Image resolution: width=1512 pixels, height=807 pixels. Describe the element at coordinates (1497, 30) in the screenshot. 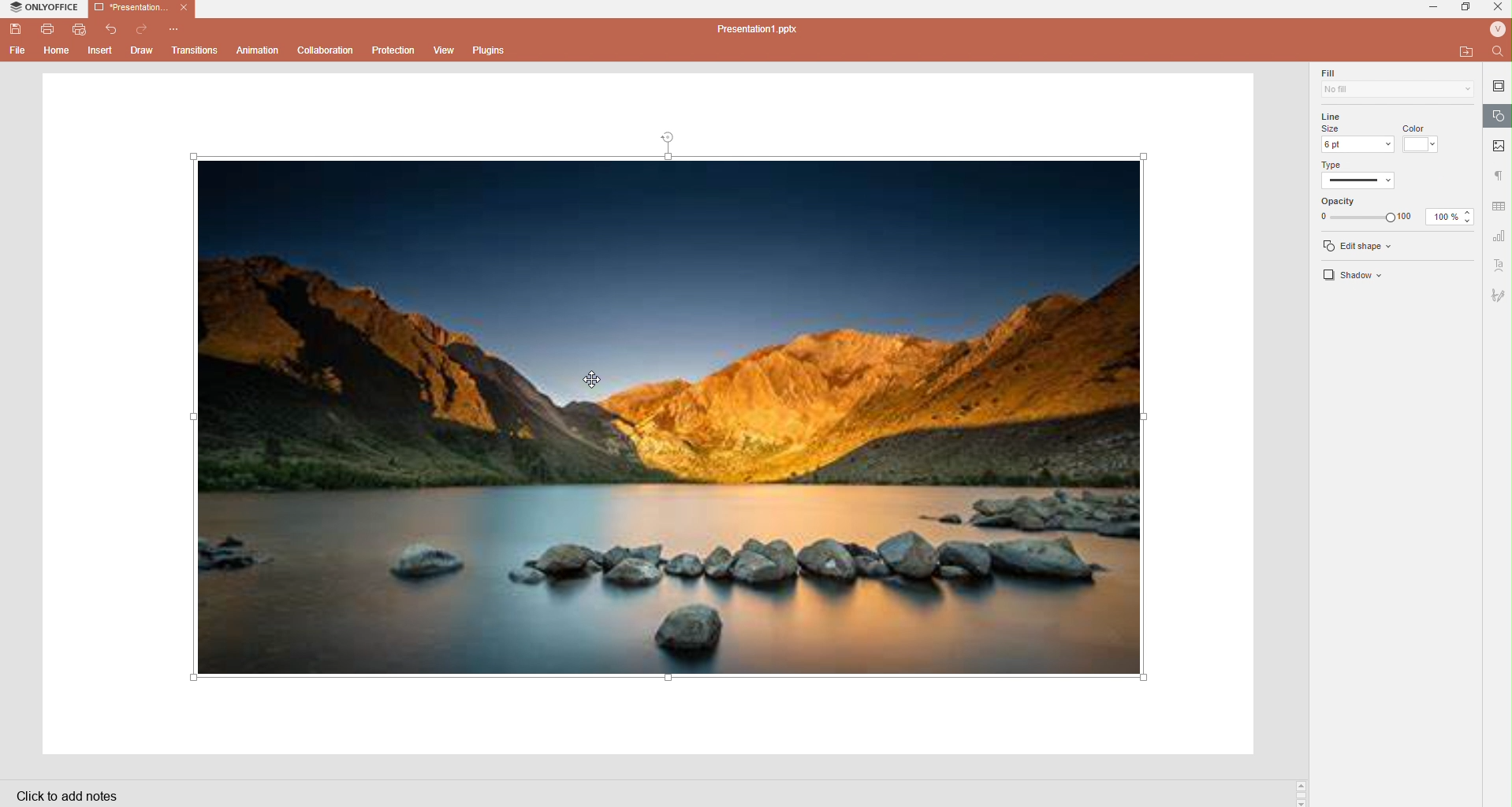

I see `User` at that location.